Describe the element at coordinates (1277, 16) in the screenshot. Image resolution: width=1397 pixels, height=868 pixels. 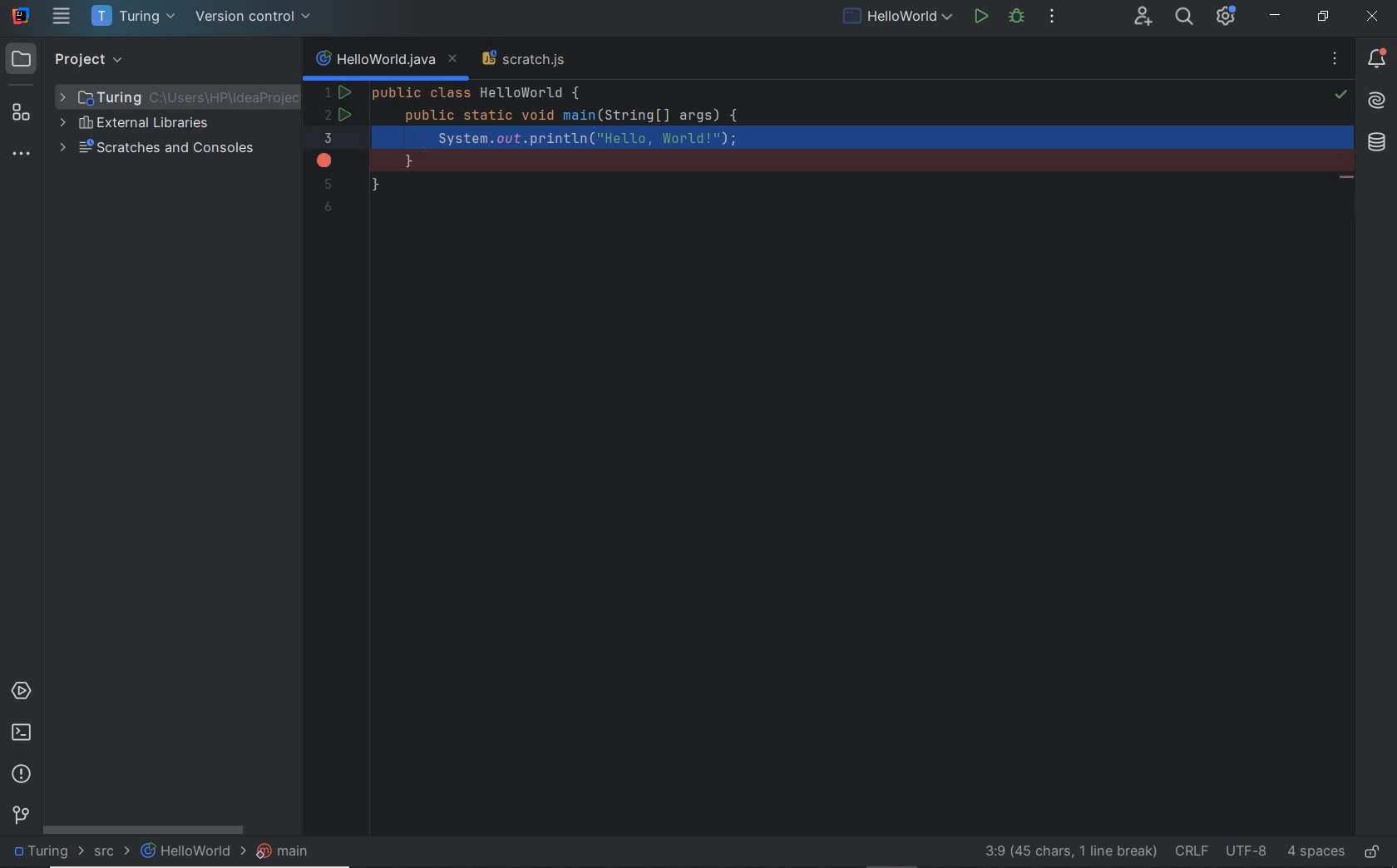
I see `minimize` at that location.